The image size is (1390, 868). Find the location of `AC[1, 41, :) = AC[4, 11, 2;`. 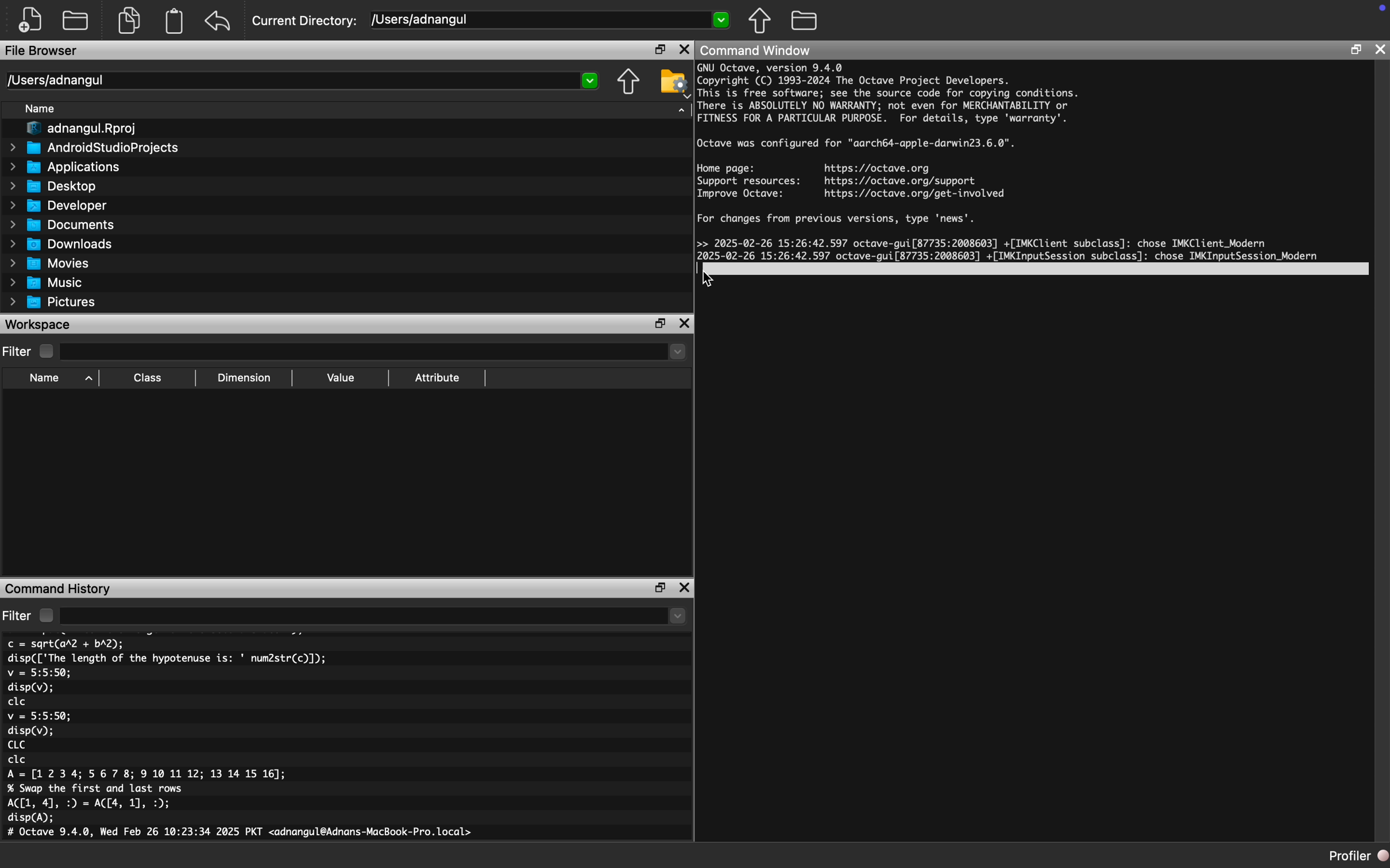

AC[1, 41, :) = AC[4, 11, 2; is located at coordinates (91, 804).